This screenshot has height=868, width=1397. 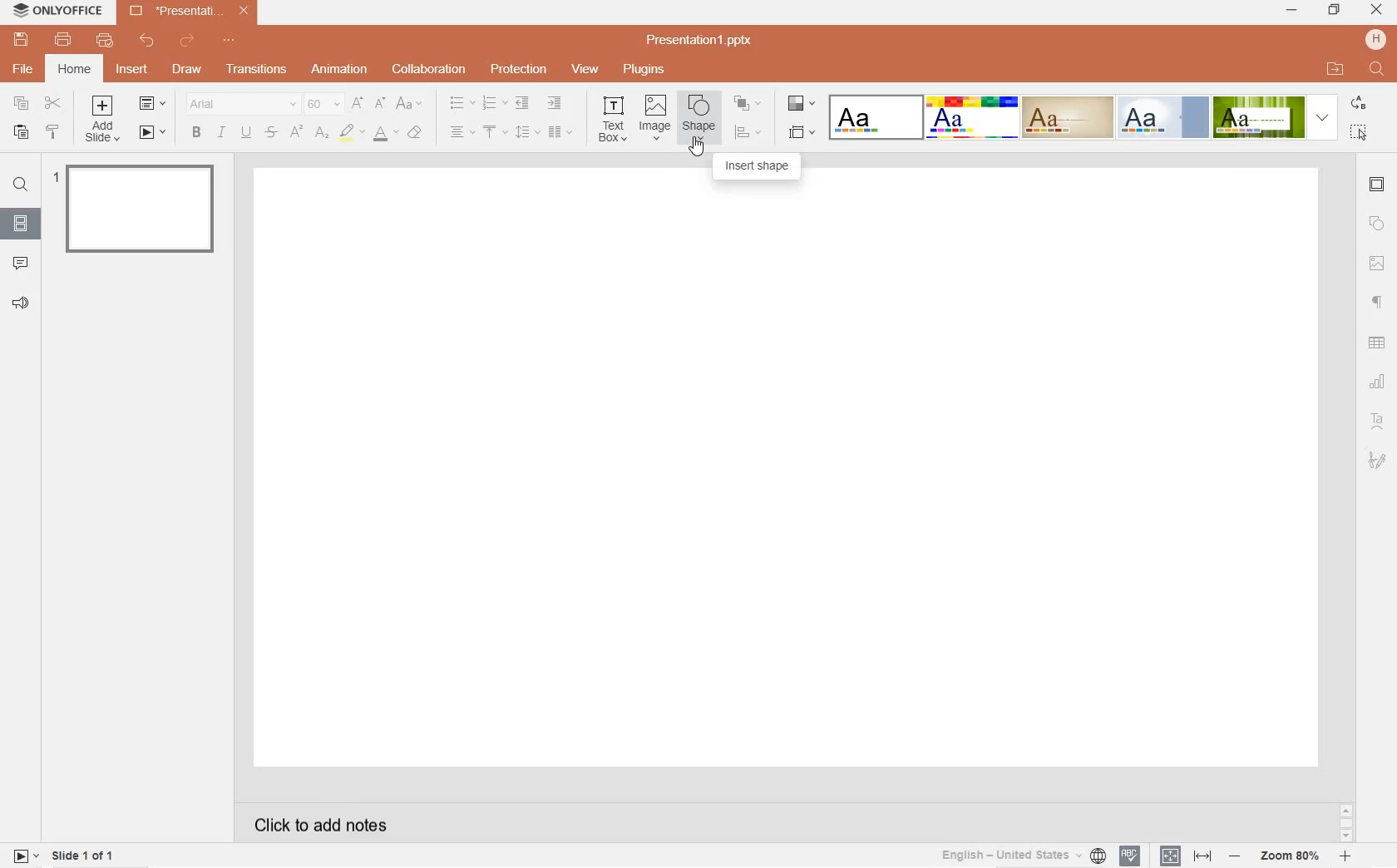 What do you see at coordinates (105, 121) in the screenshot?
I see `add slide` at bounding box center [105, 121].